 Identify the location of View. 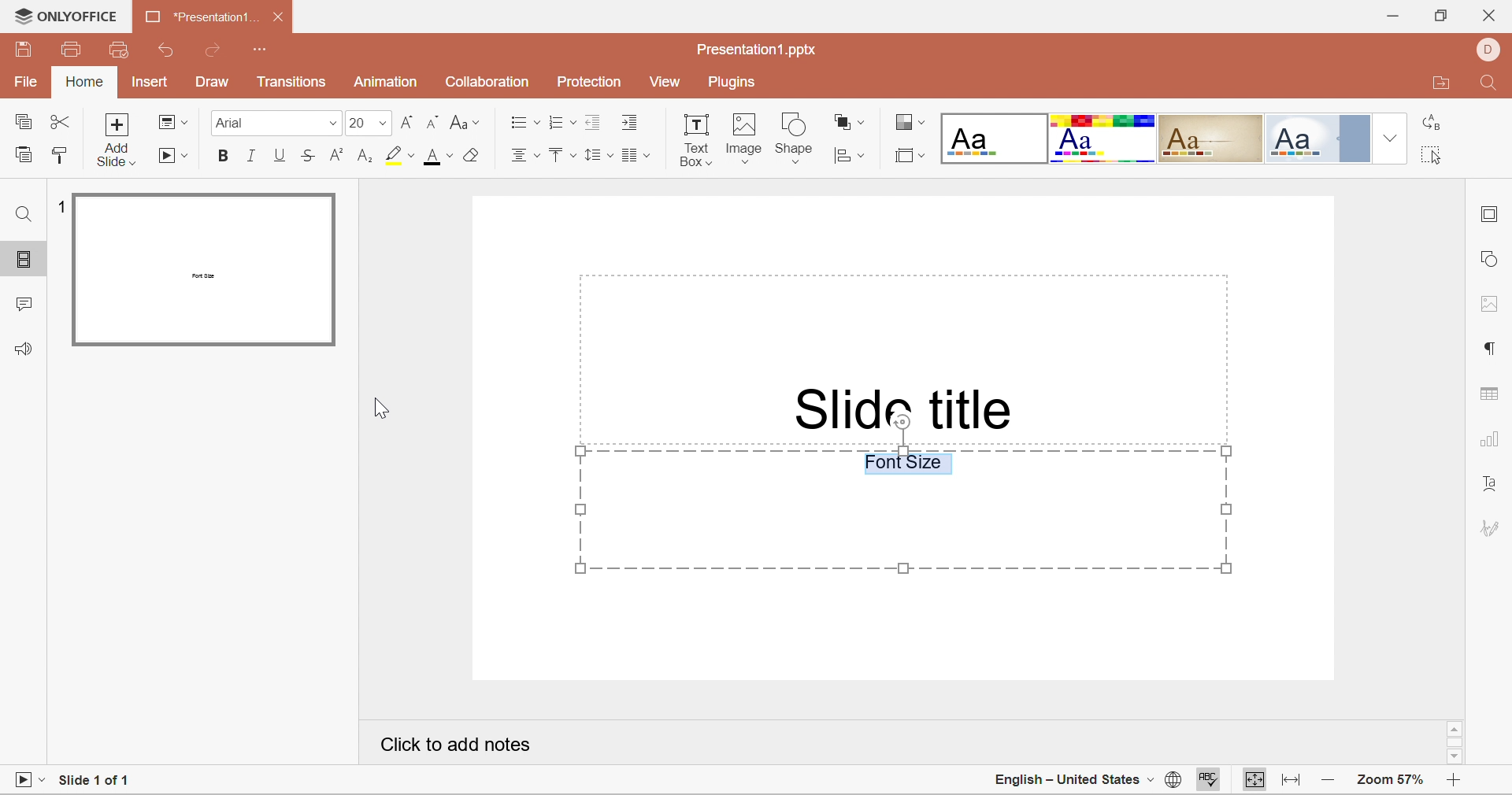
(668, 84).